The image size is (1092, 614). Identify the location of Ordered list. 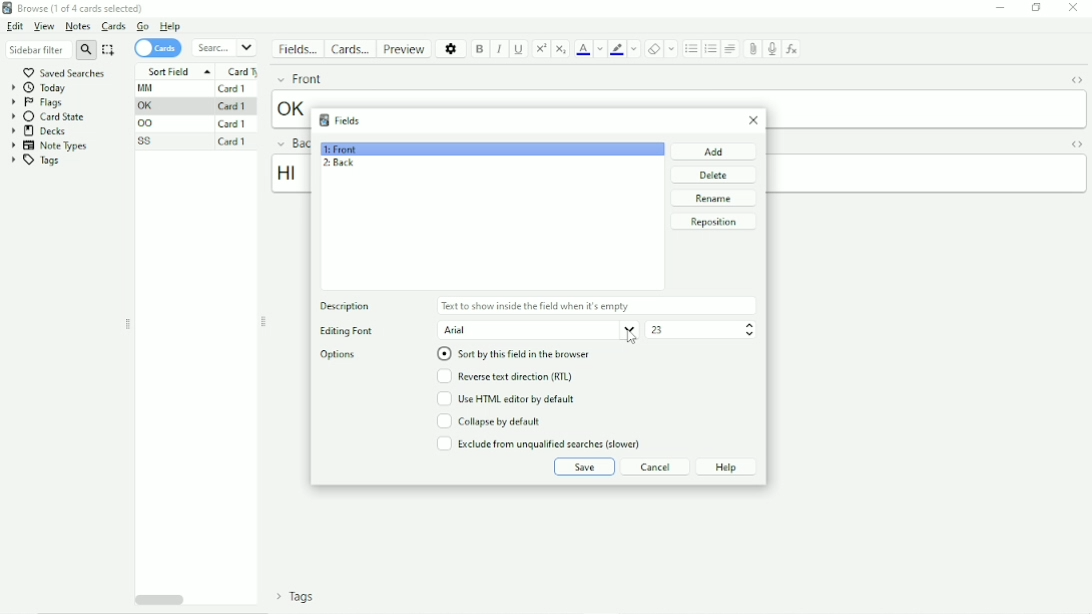
(711, 49).